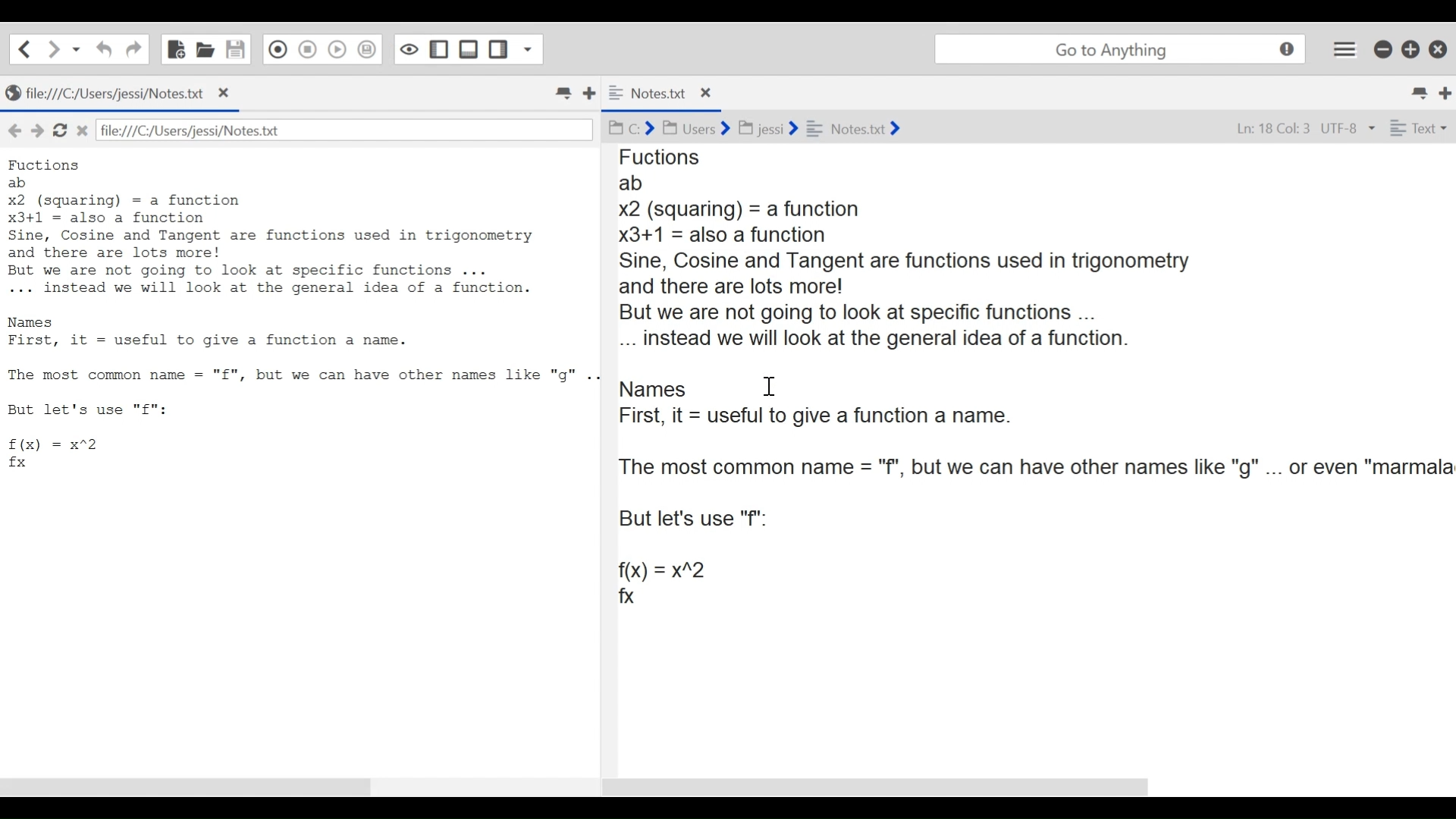 The height and width of the screenshot is (819, 1456). What do you see at coordinates (469, 50) in the screenshot?
I see `Show/Hide Bottom Pane` at bounding box center [469, 50].